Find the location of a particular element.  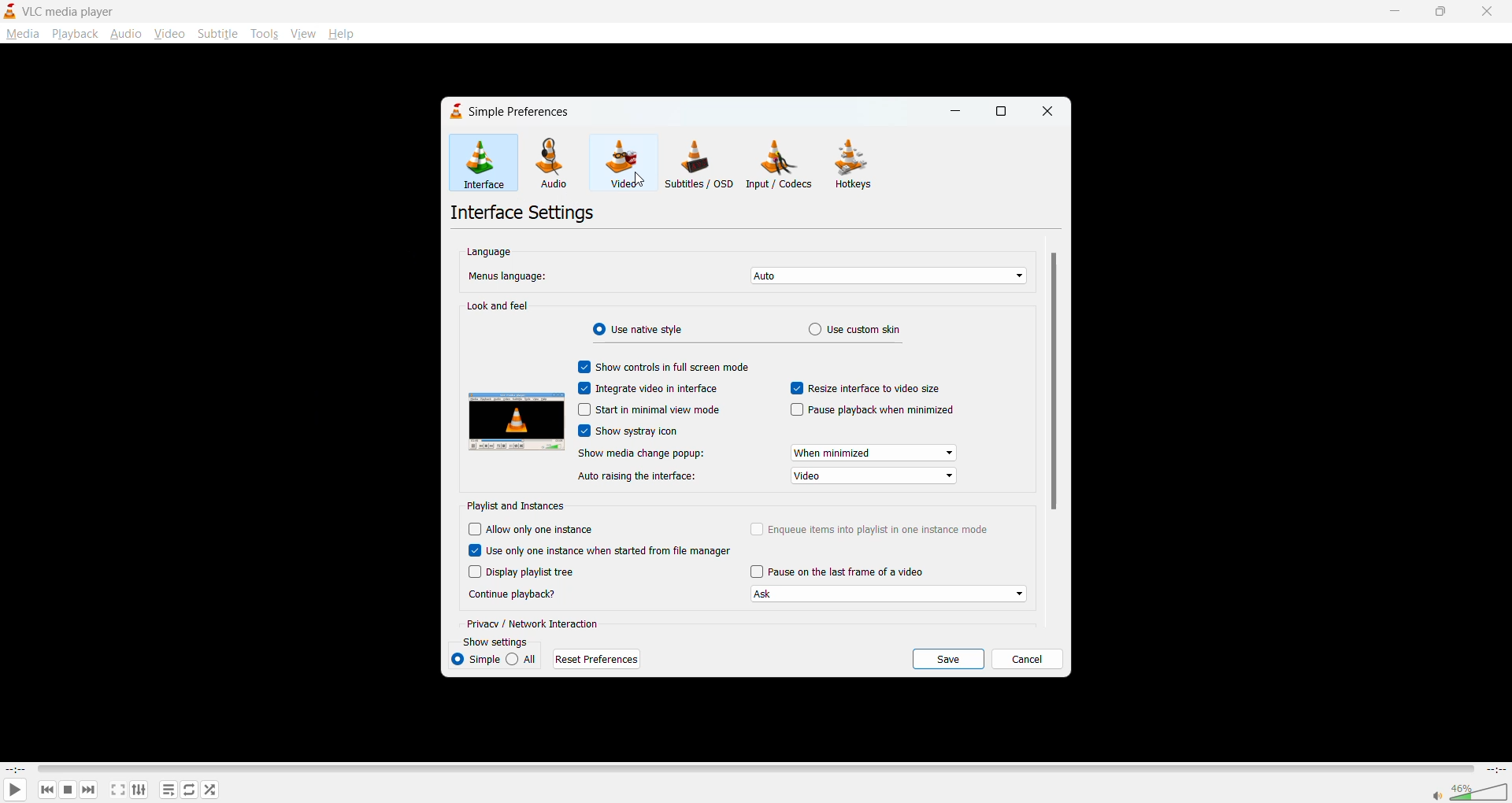

fullscreen is located at coordinates (117, 789).